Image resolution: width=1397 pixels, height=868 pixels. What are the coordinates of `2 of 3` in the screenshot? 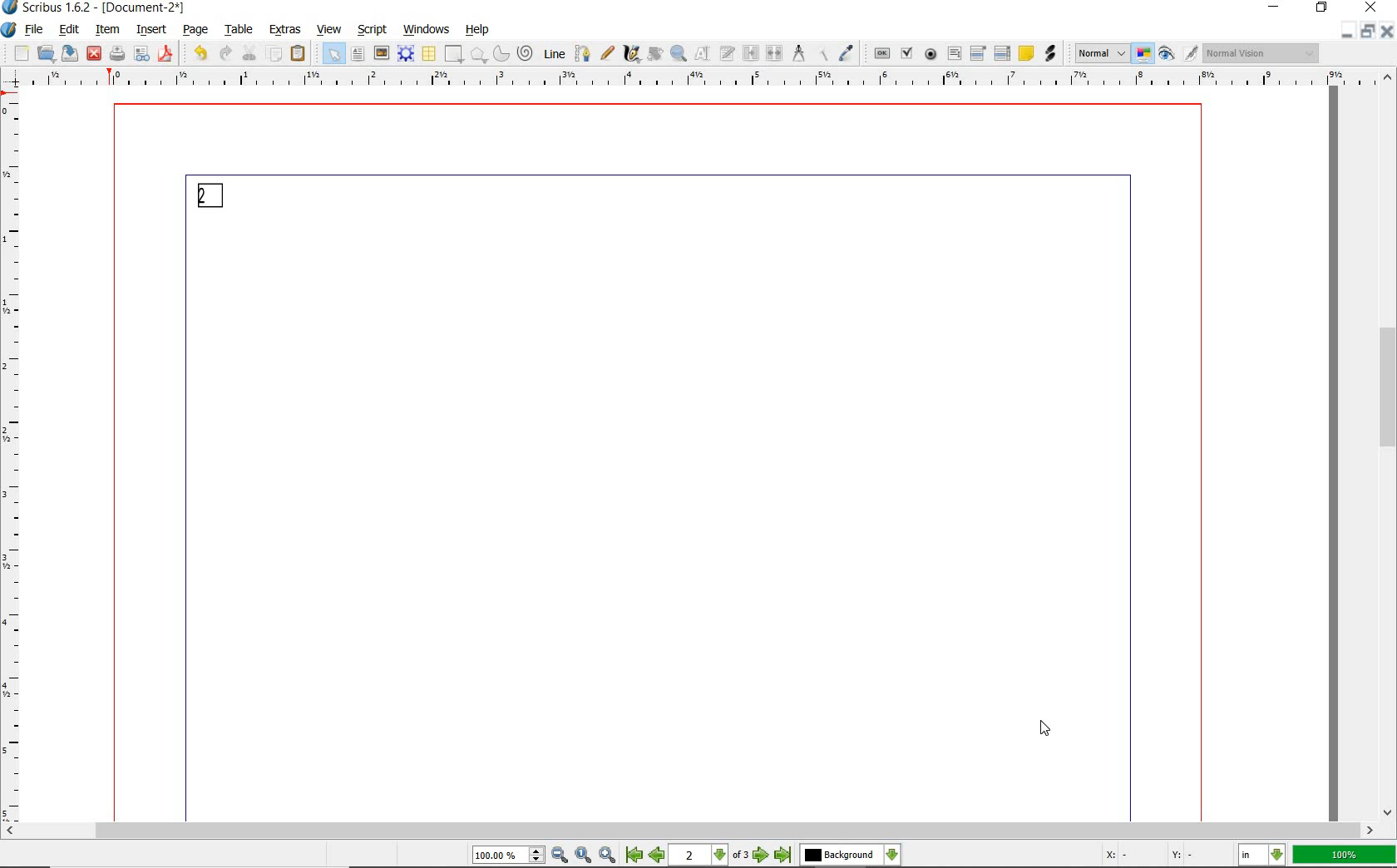 It's located at (711, 856).